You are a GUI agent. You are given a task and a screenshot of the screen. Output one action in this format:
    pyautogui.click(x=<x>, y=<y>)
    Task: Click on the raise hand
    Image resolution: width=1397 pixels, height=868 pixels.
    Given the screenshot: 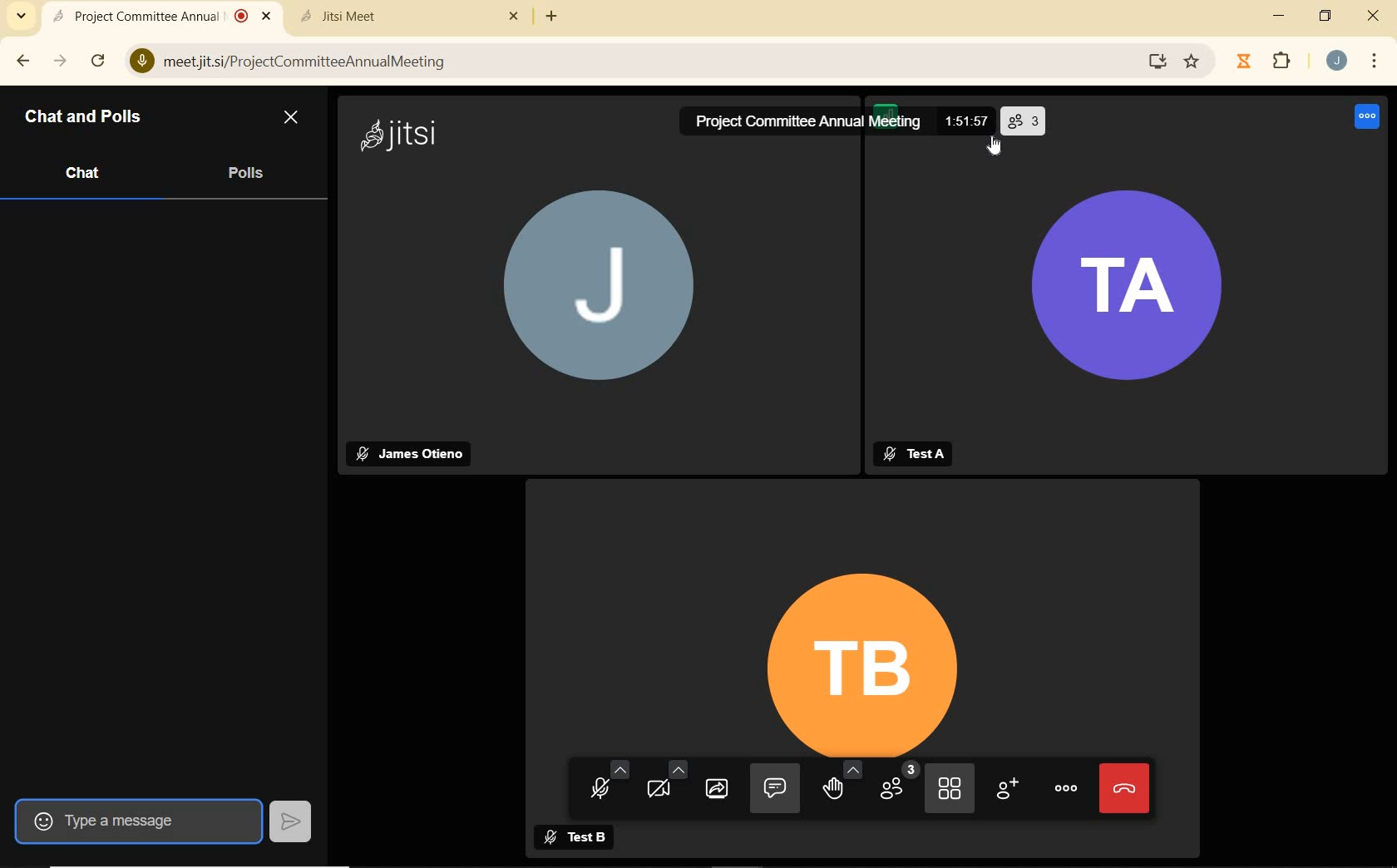 What is the action you would take?
    pyautogui.click(x=844, y=787)
    